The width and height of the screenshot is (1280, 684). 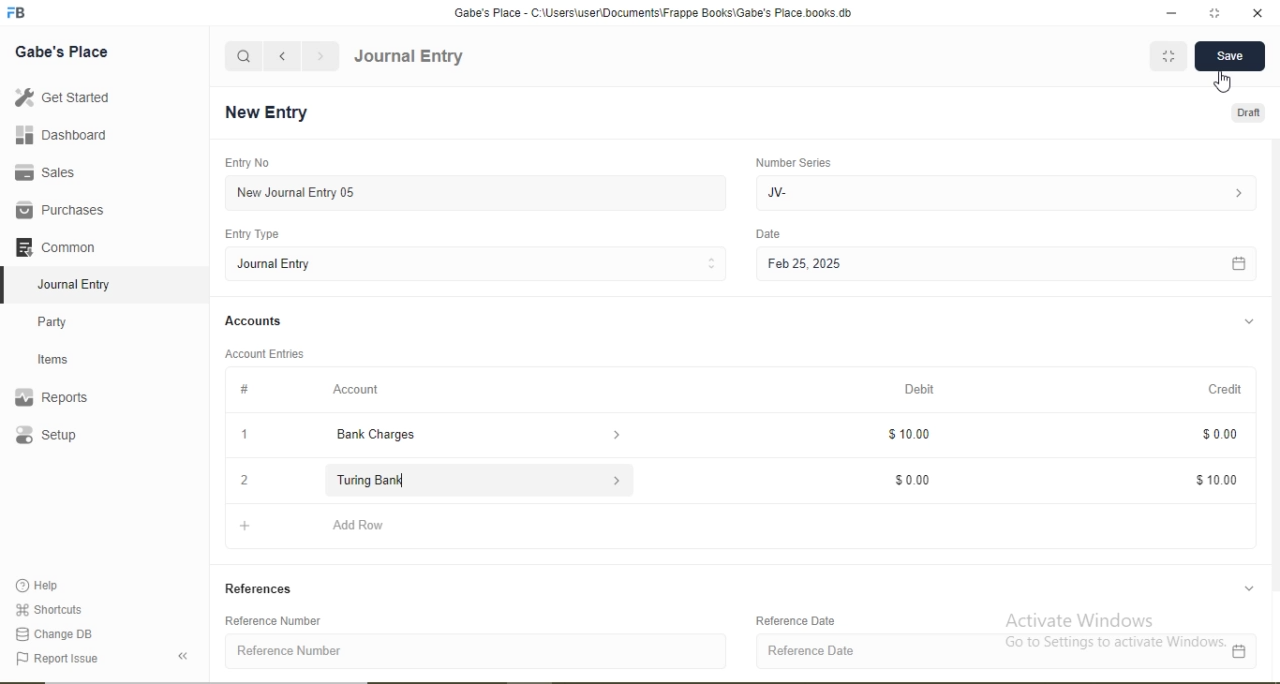 I want to click on collapse sidebar, so click(x=186, y=656).